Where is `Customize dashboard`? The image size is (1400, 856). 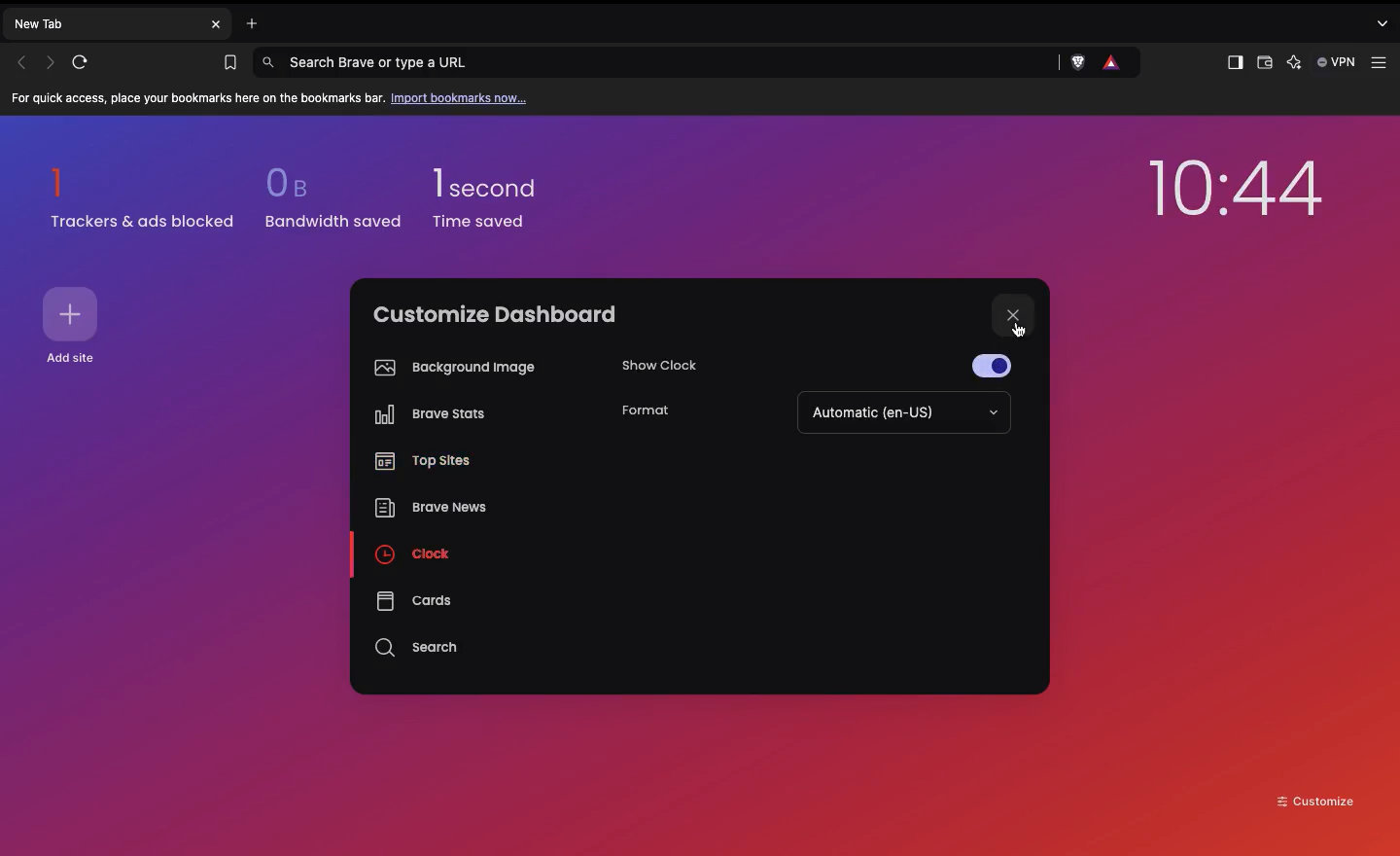 Customize dashboard is located at coordinates (495, 314).